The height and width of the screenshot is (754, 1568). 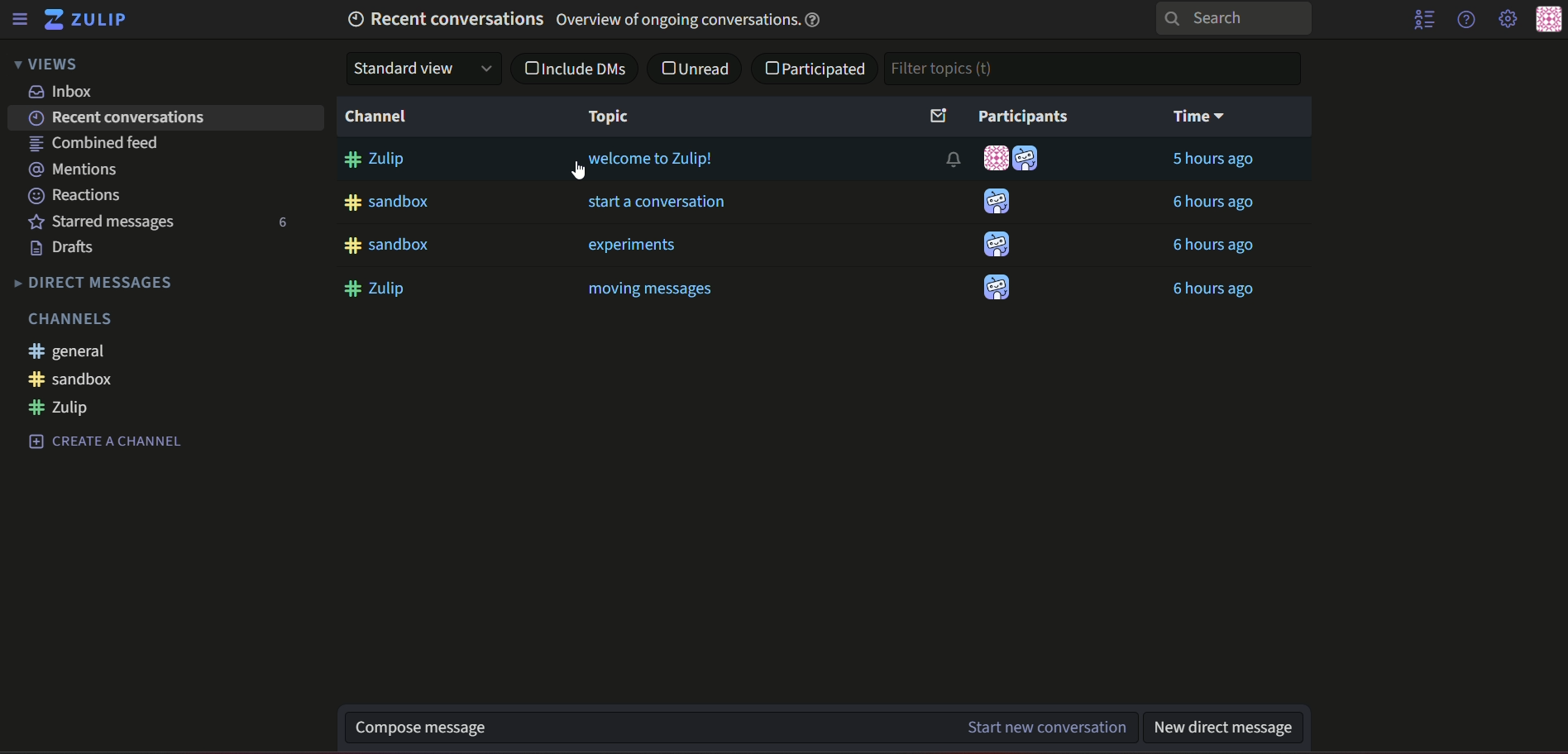 What do you see at coordinates (423, 67) in the screenshot?
I see `standard view` at bounding box center [423, 67].